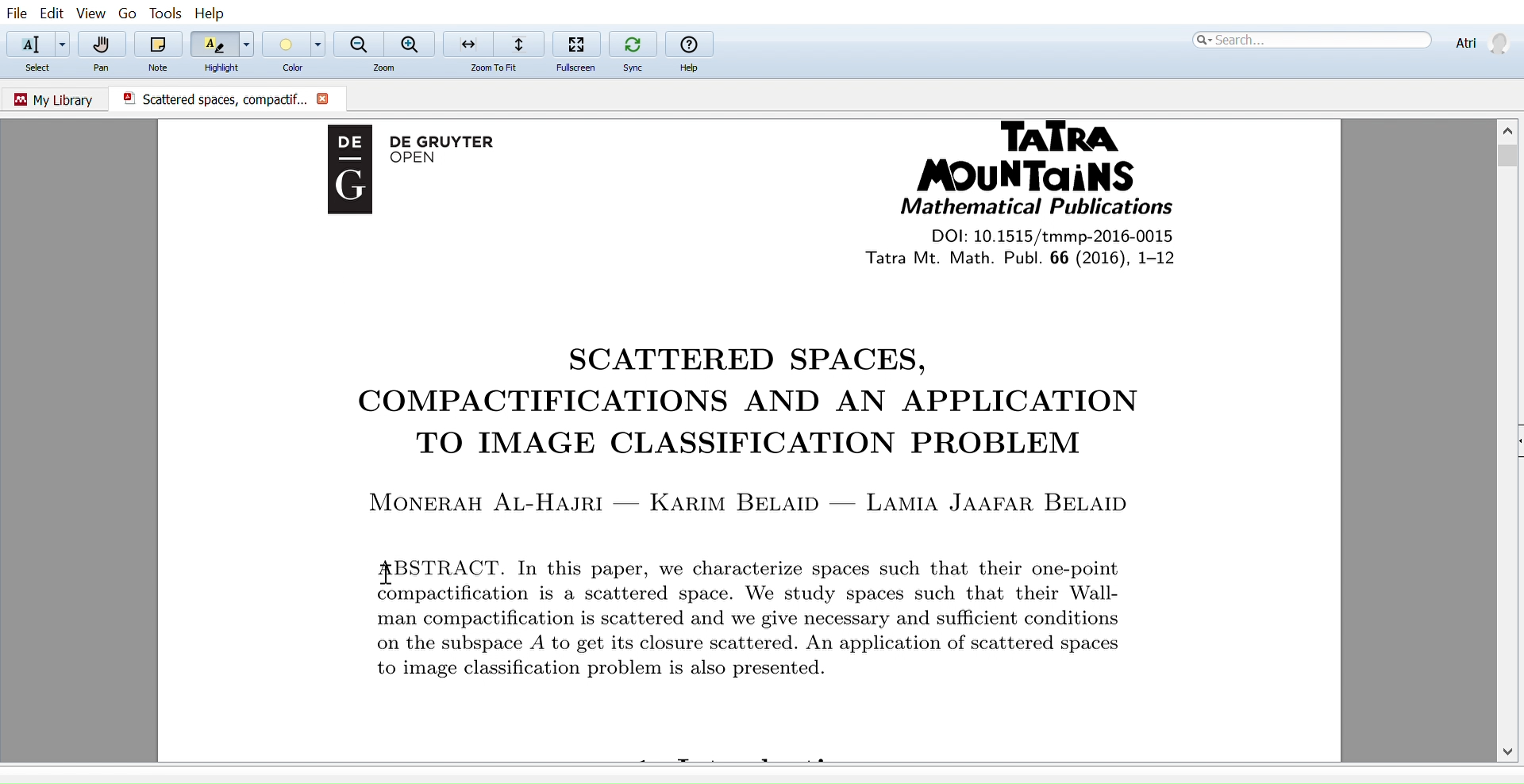  What do you see at coordinates (411, 44) in the screenshot?
I see `Zoom in` at bounding box center [411, 44].